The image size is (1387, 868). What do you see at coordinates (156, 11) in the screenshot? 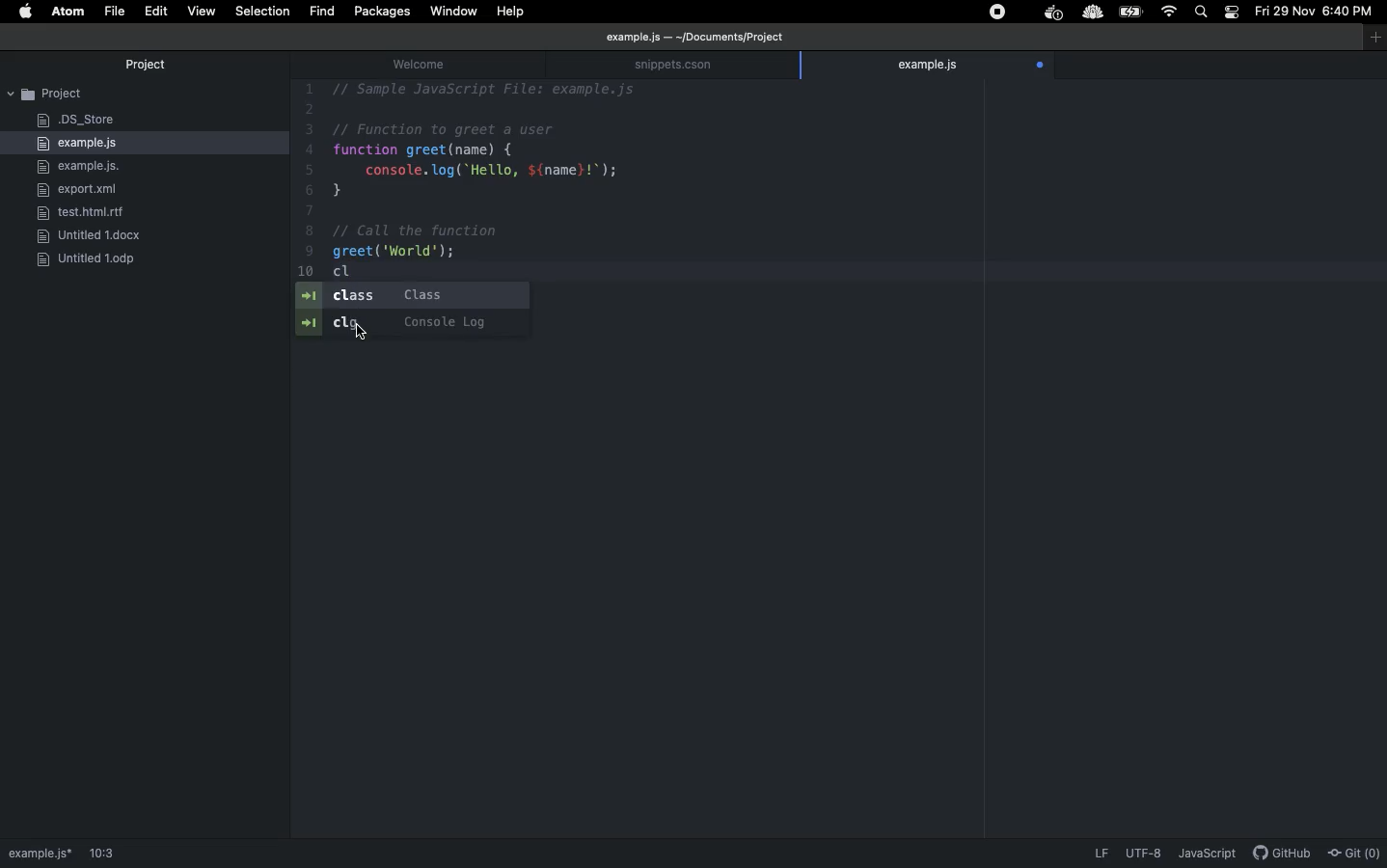
I see `Edit` at bounding box center [156, 11].